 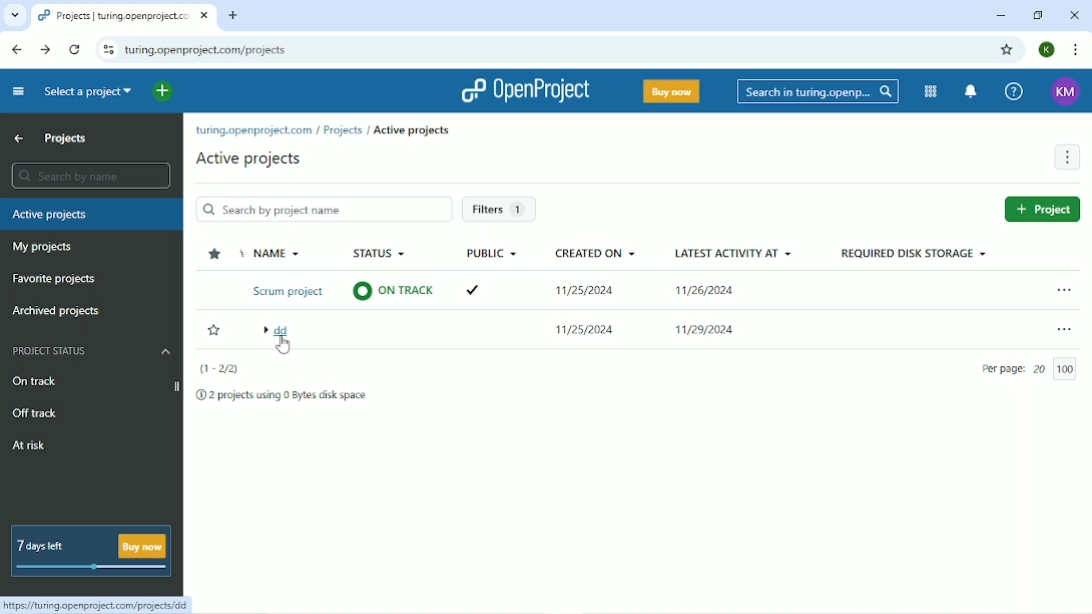 I want to click on Sort by favorites, so click(x=215, y=252).